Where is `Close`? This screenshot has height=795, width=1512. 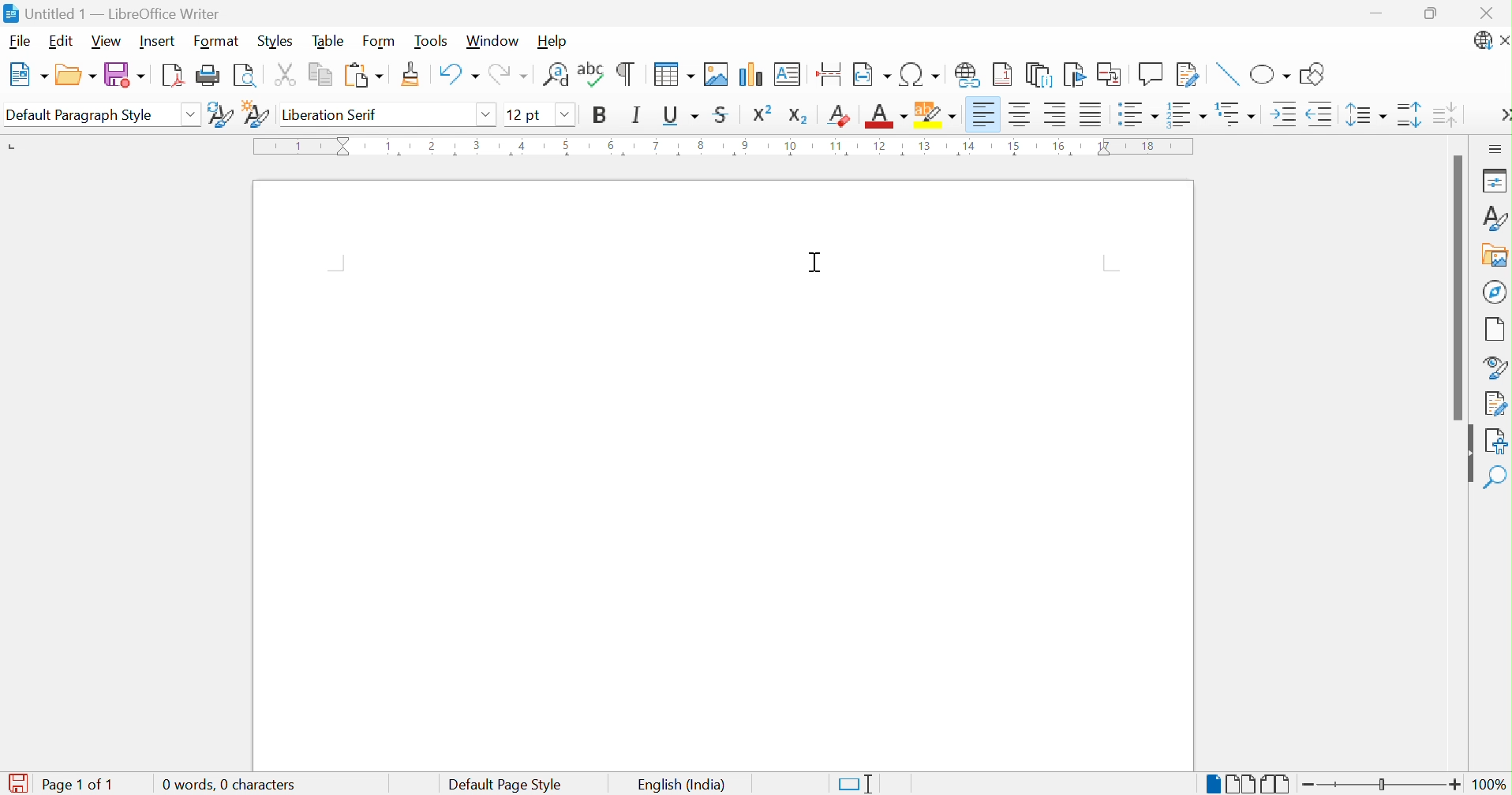 Close is located at coordinates (1503, 40).